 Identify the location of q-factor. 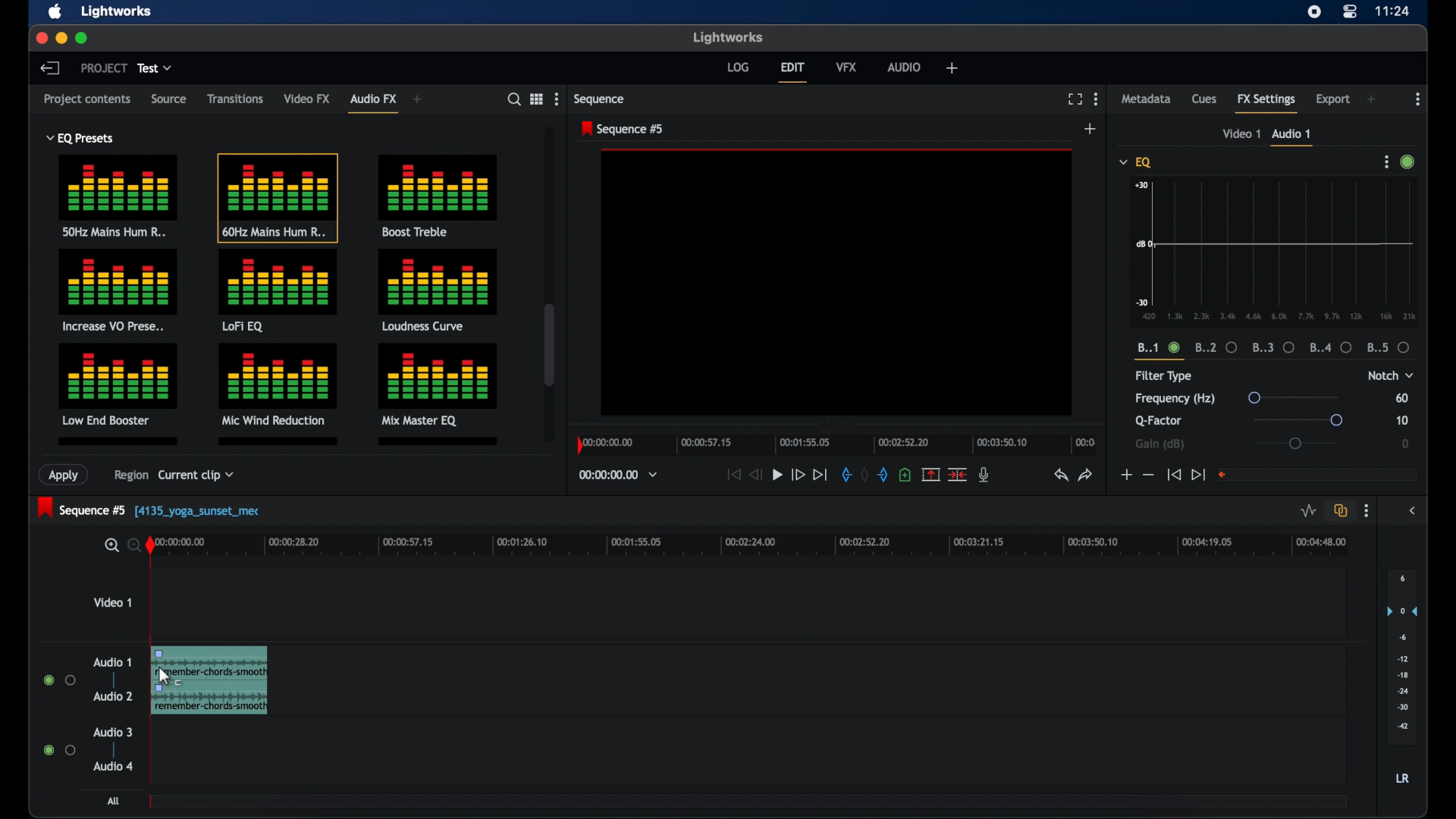
(1157, 420).